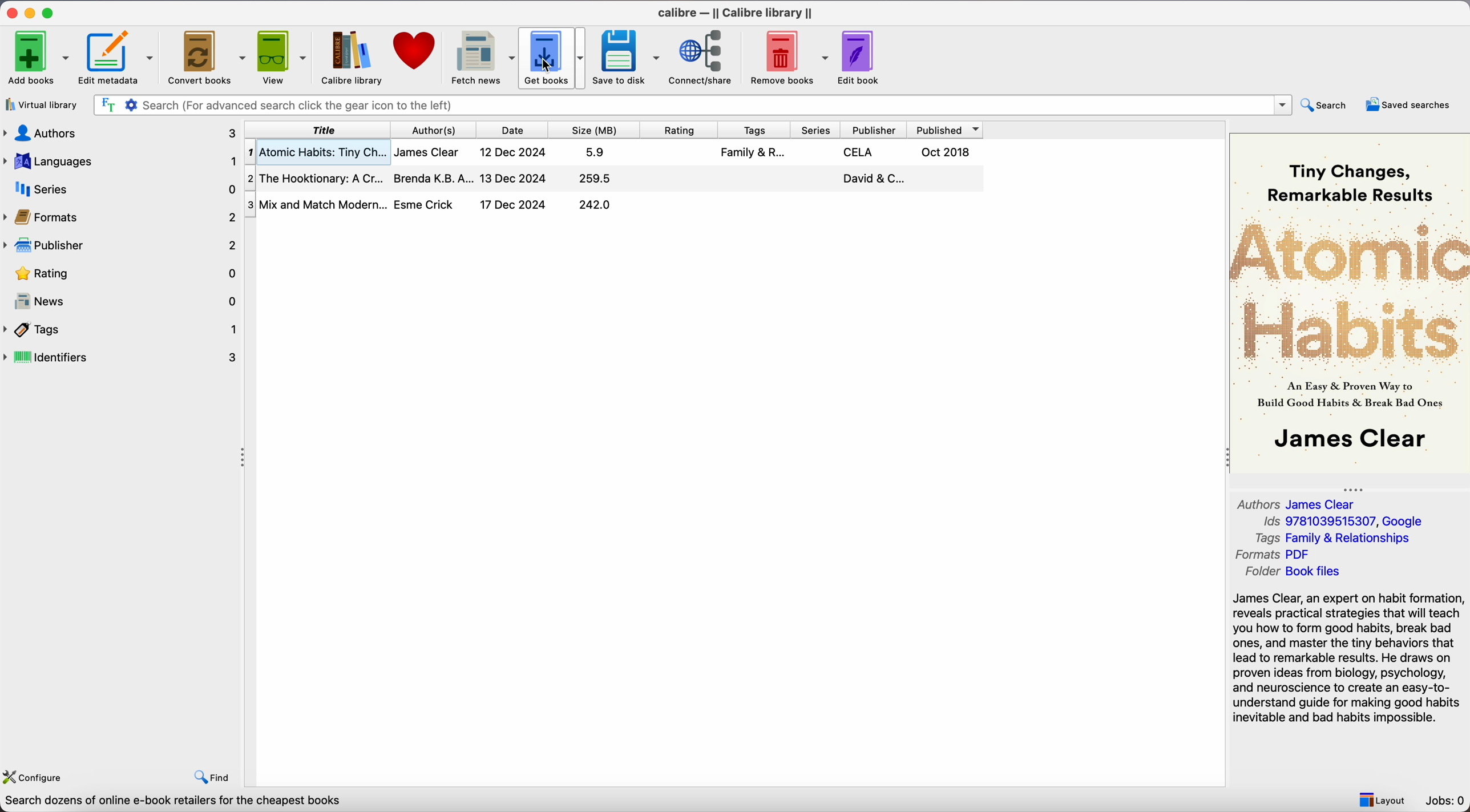  Describe the element at coordinates (320, 178) in the screenshot. I see `The Hooktionary: A Cr...` at that location.